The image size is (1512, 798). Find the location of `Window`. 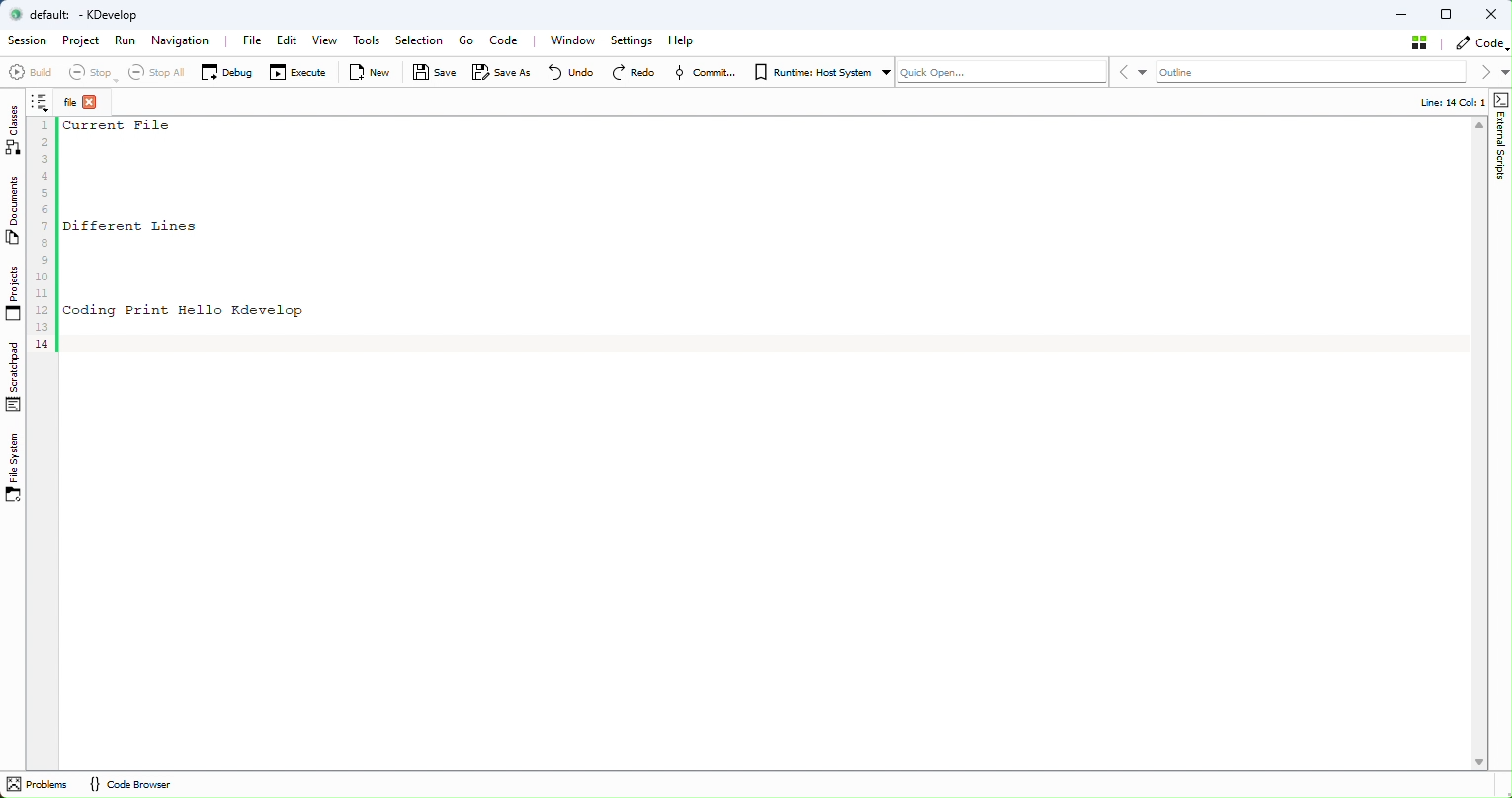

Window is located at coordinates (577, 40).